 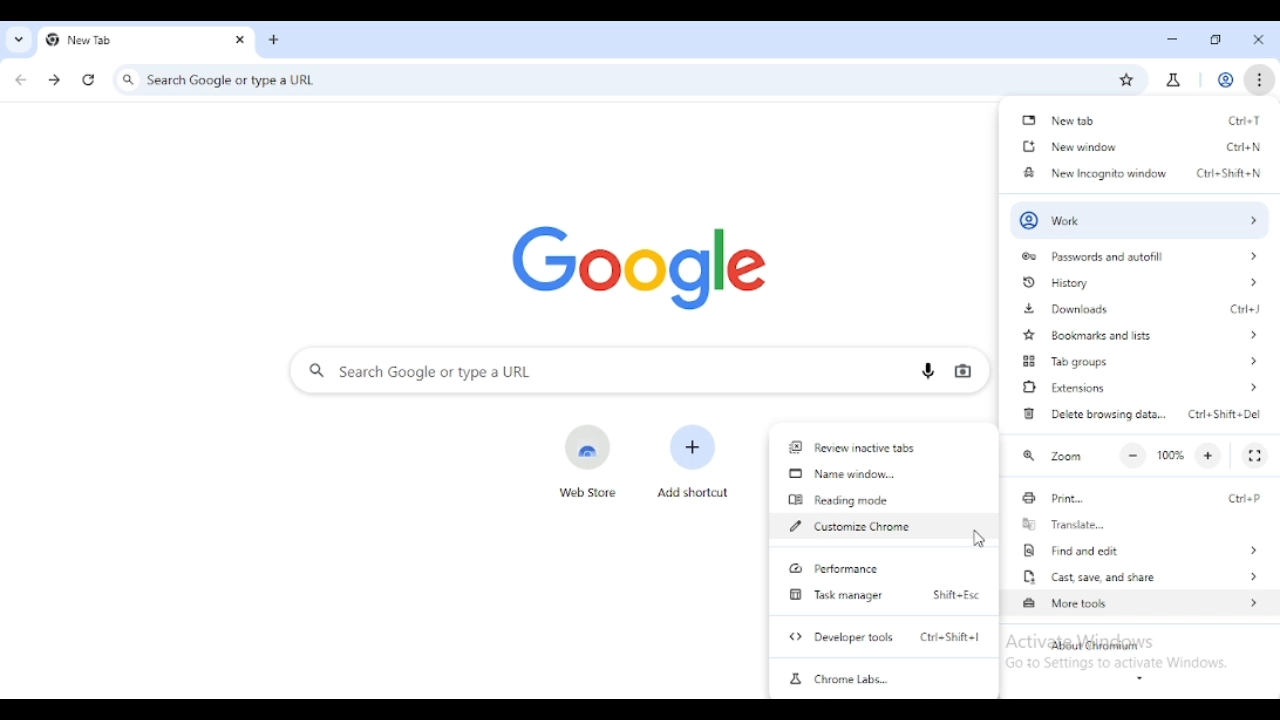 I want to click on bookmark this tab, so click(x=1126, y=79).